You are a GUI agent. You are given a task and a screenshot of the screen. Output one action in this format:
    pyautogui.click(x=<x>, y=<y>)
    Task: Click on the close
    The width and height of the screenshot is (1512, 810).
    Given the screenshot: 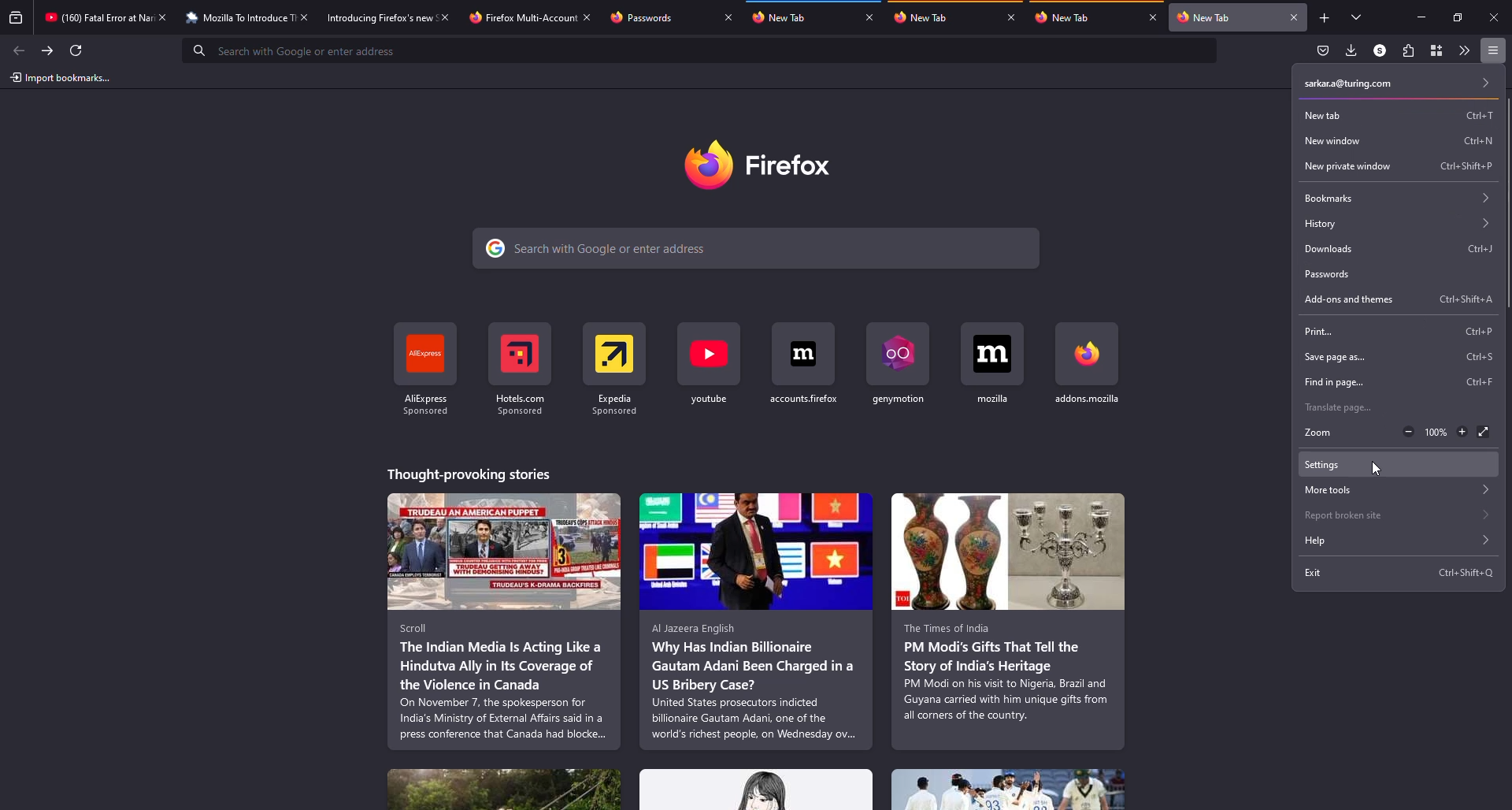 What is the action you would take?
    pyautogui.click(x=870, y=17)
    